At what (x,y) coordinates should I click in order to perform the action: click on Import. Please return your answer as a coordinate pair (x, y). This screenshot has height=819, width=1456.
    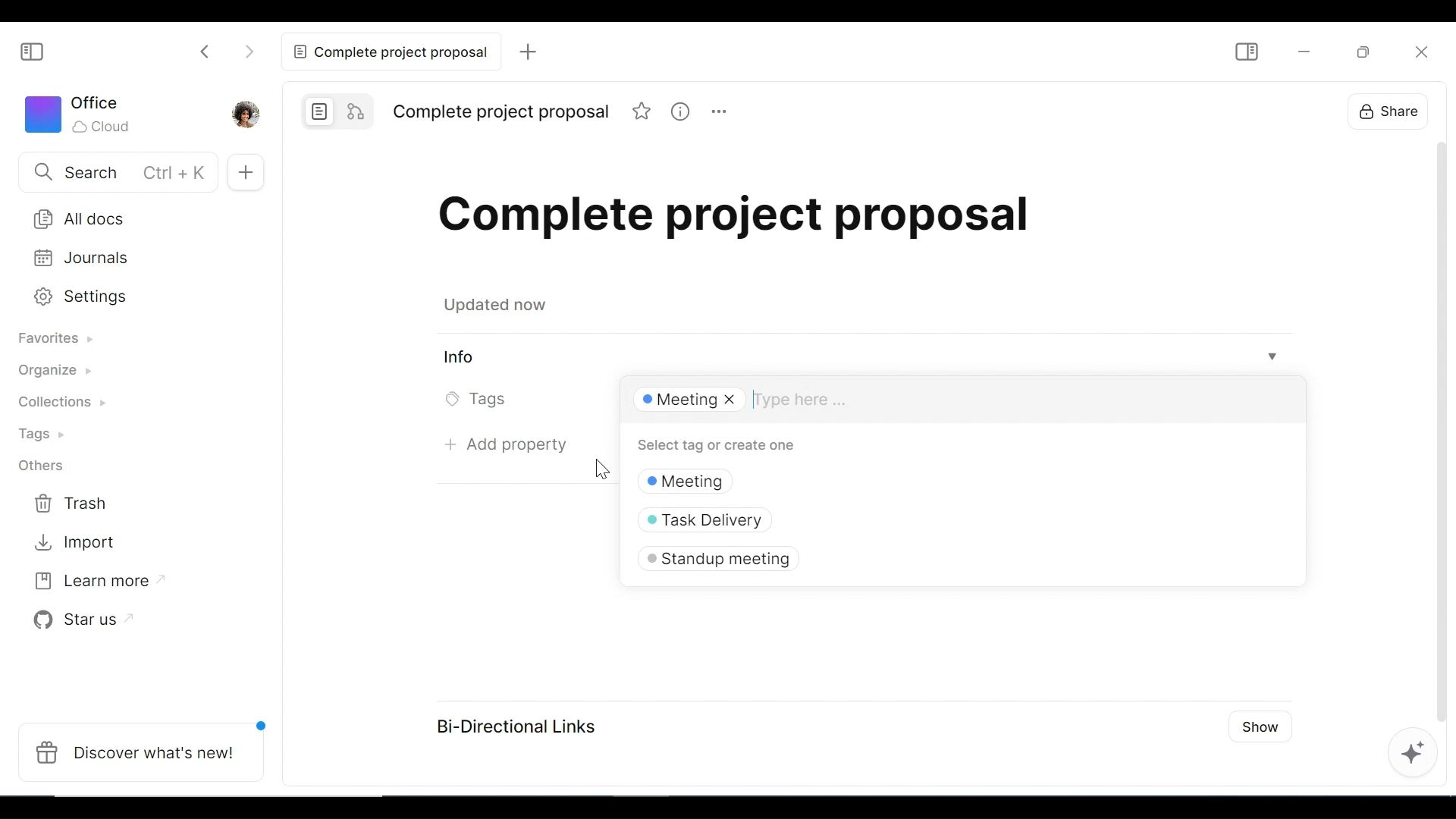
    Looking at the image, I should click on (72, 544).